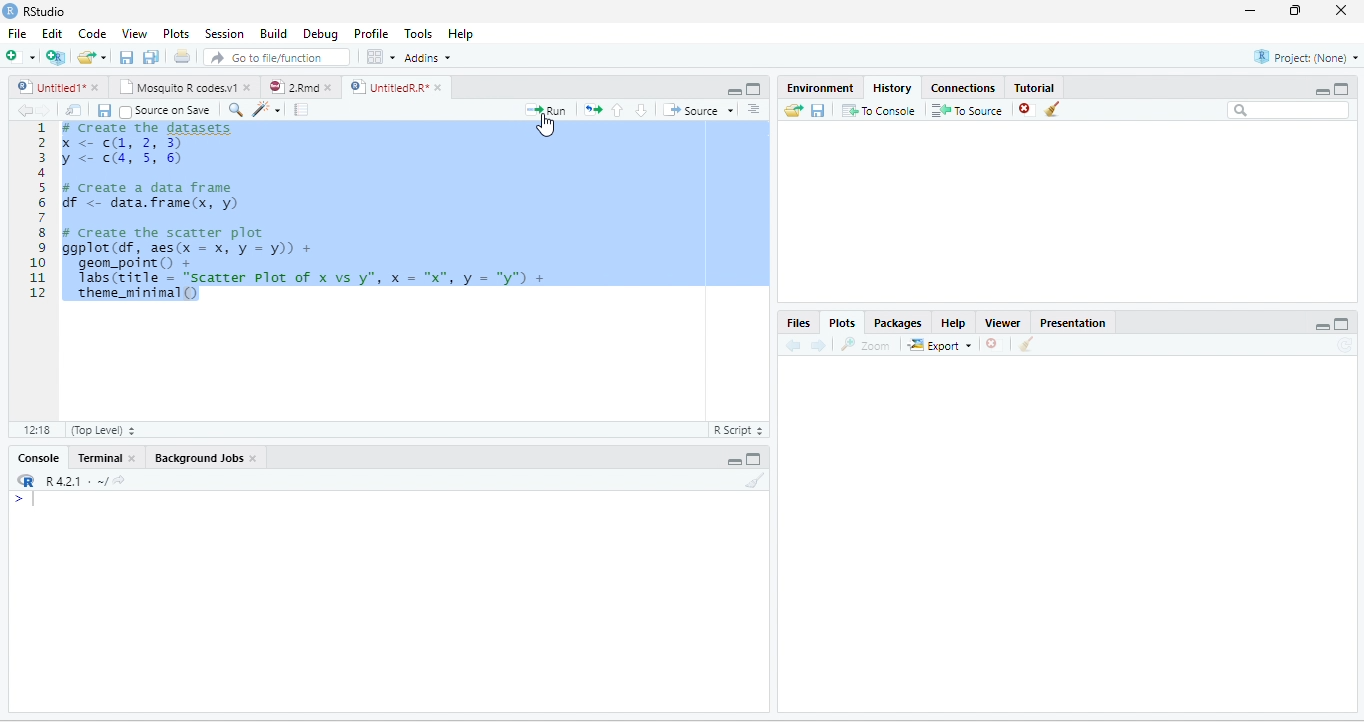 The width and height of the screenshot is (1364, 722). I want to click on cursor, so click(545, 125).